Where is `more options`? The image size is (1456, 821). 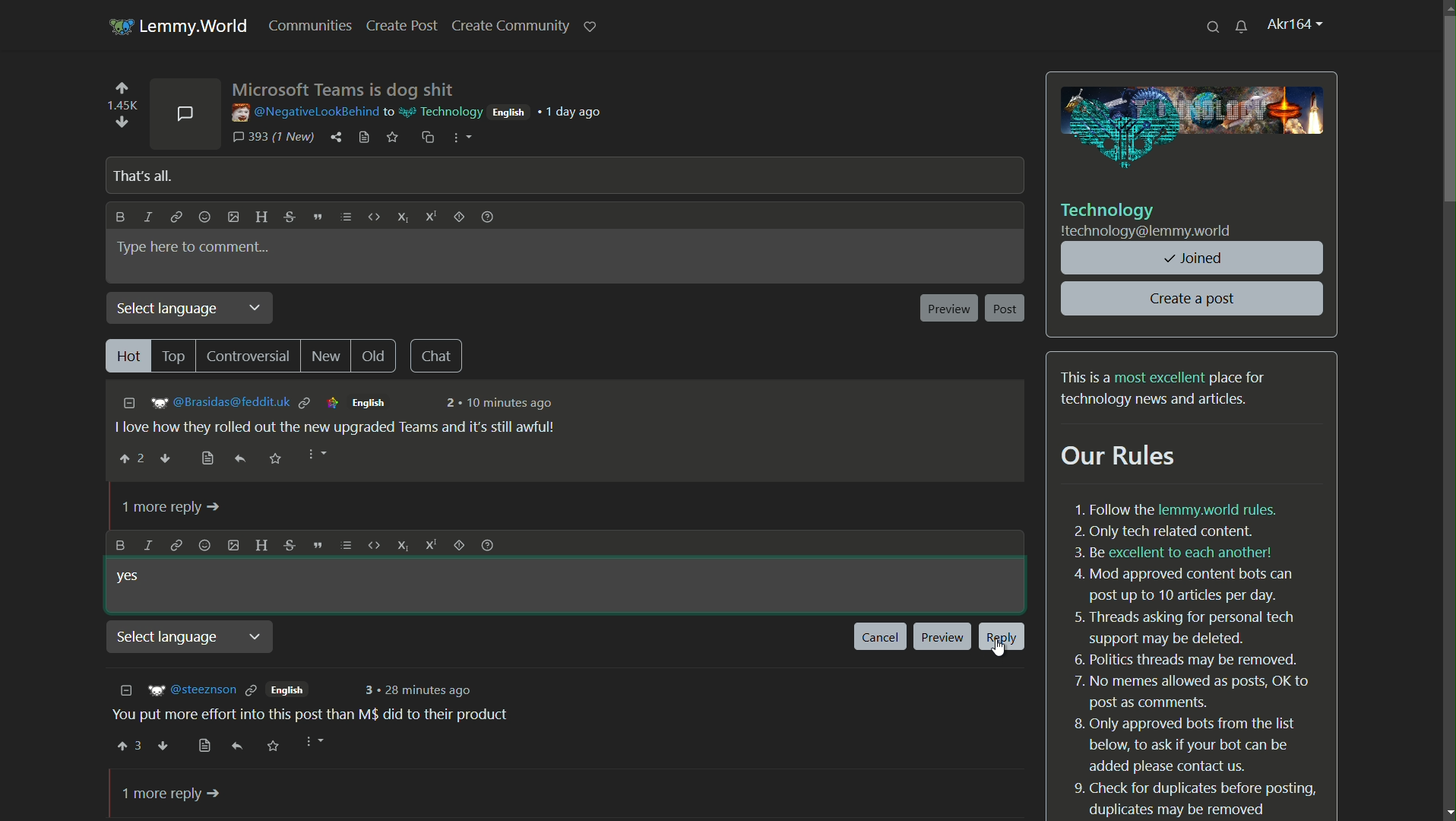 more options is located at coordinates (459, 138).